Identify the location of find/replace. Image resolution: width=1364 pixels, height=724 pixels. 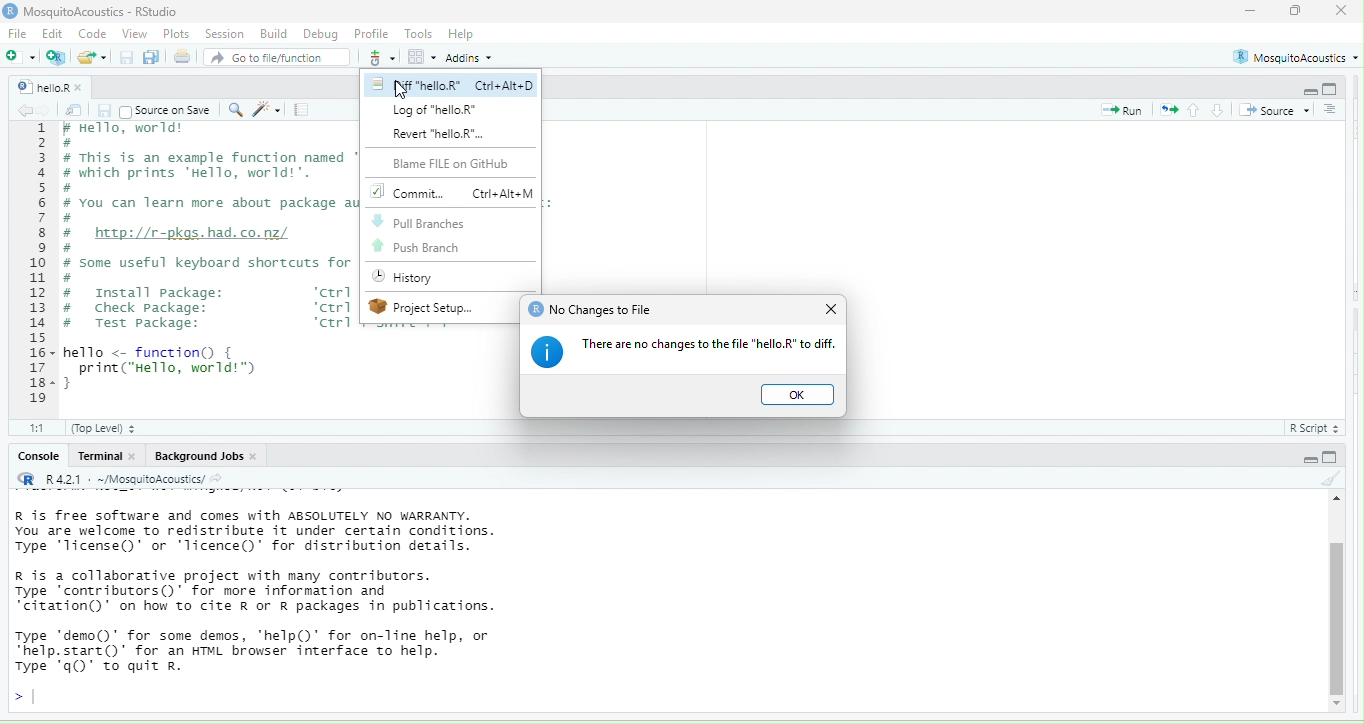
(237, 110).